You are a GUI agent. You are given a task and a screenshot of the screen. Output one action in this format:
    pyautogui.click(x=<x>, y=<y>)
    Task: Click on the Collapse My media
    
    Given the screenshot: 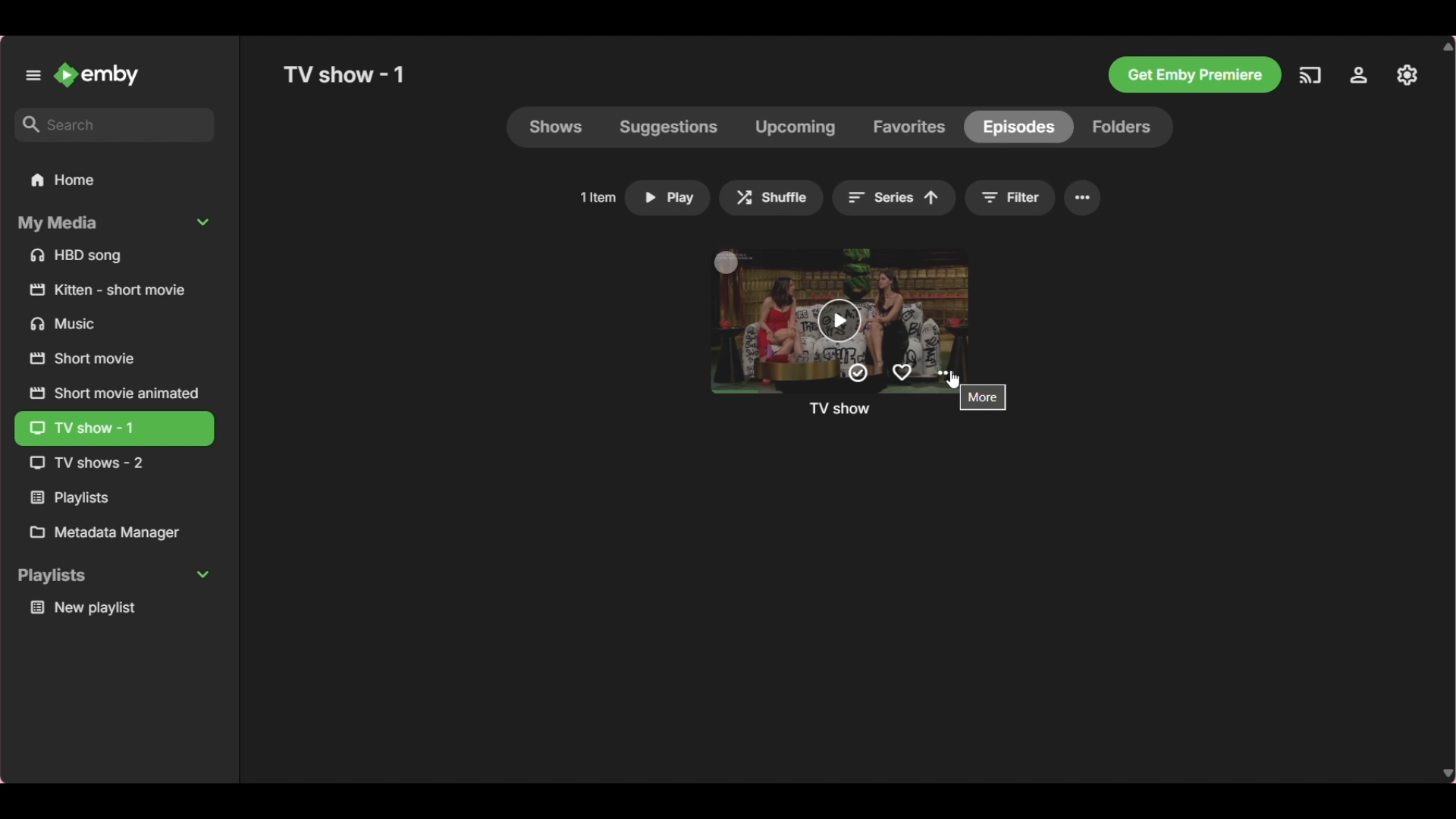 What is the action you would take?
    pyautogui.click(x=113, y=224)
    